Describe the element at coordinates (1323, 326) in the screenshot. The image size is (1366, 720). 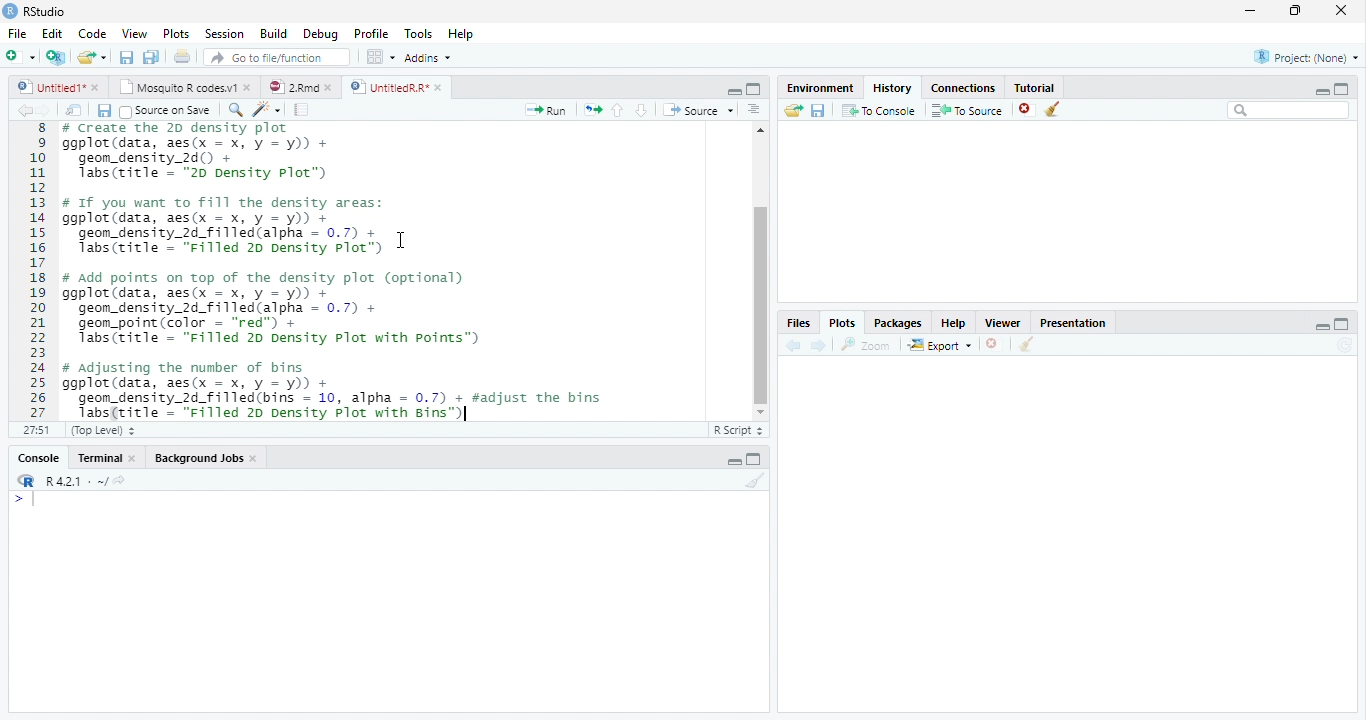
I see `minimize` at that location.